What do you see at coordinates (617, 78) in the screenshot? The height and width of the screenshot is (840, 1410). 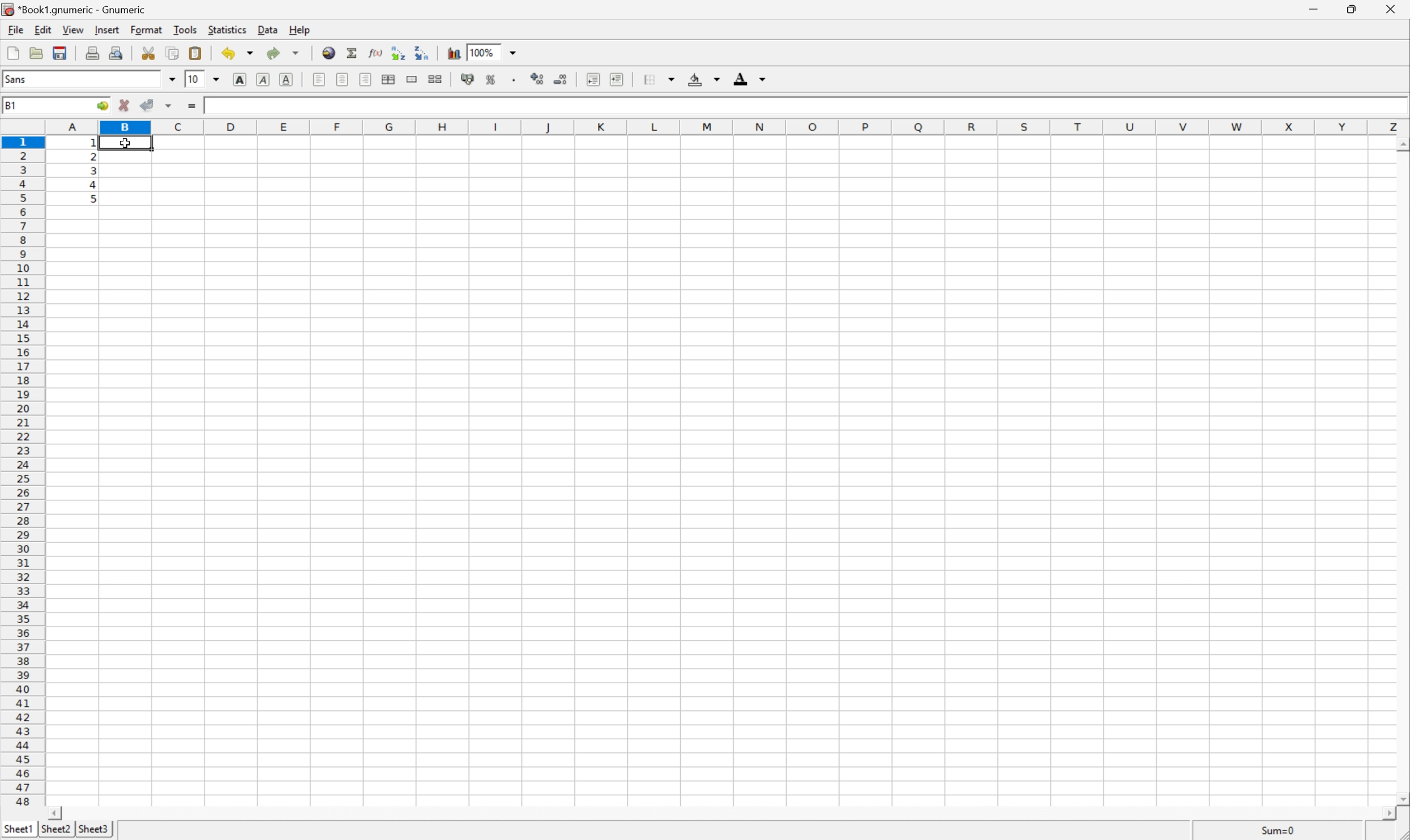 I see `Increase indent, and align the contents to the left` at bounding box center [617, 78].